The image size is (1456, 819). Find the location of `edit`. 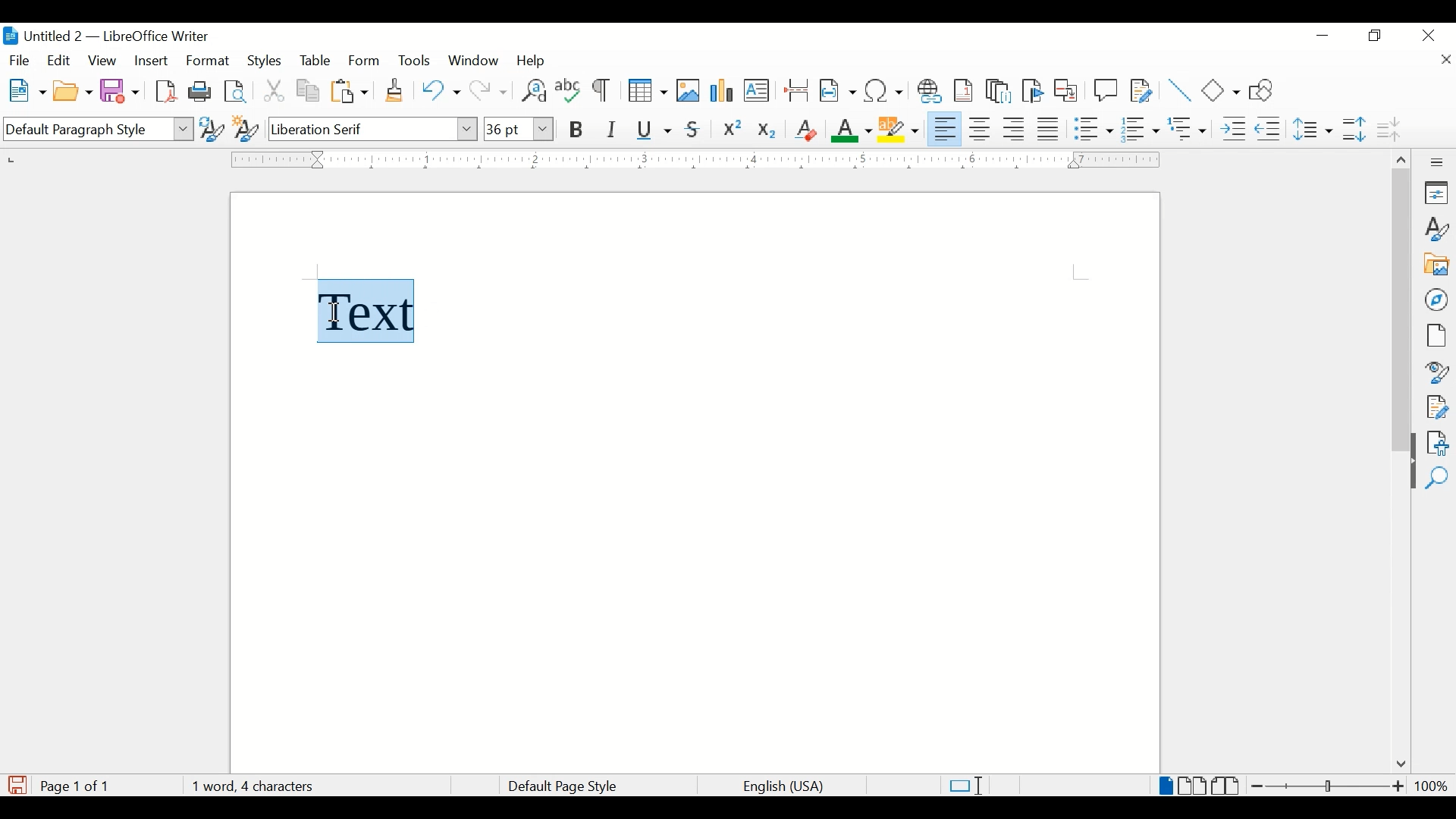

edit is located at coordinates (60, 60).